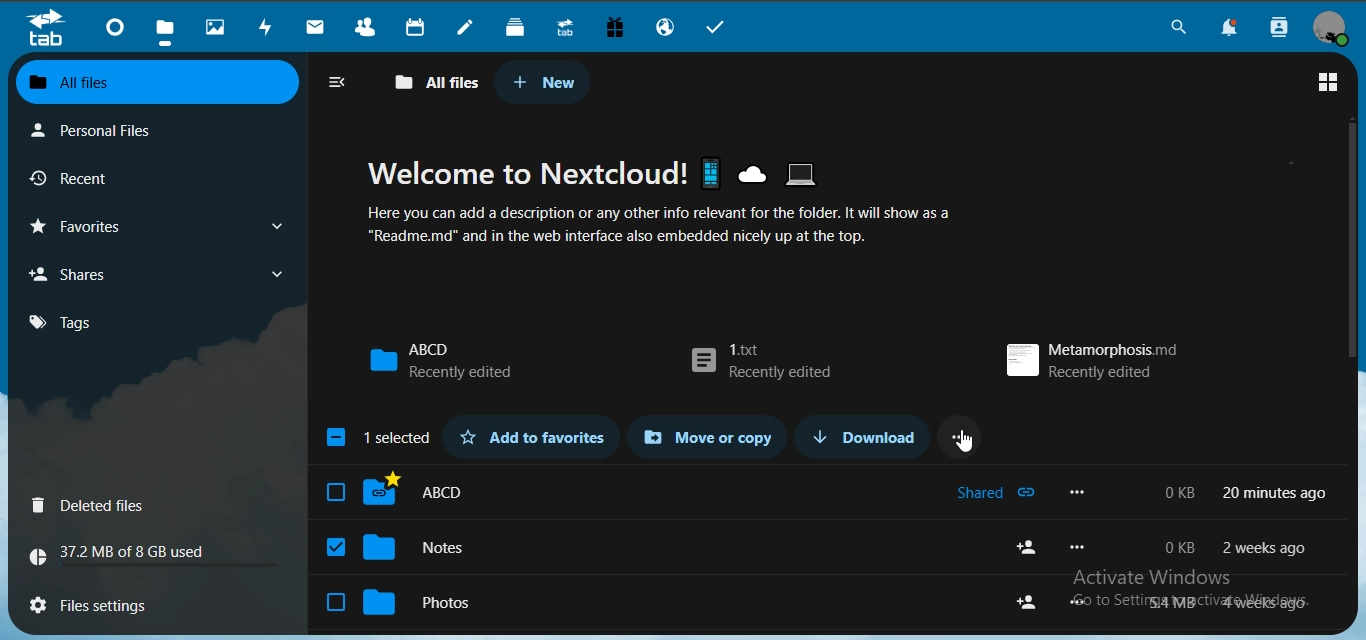 The height and width of the screenshot is (640, 1366). I want to click on close navigation, so click(336, 81).